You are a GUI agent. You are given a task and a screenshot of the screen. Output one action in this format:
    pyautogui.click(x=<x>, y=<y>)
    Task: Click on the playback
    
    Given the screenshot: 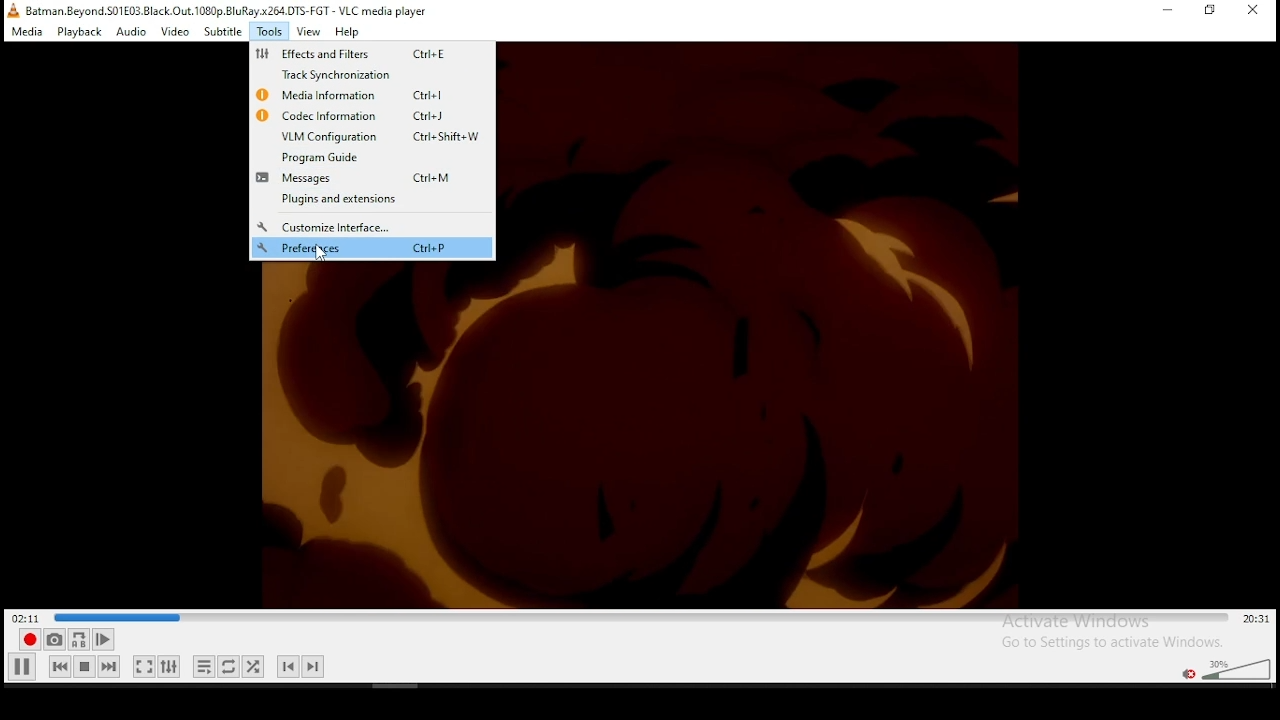 What is the action you would take?
    pyautogui.click(x=81, y=32)
    